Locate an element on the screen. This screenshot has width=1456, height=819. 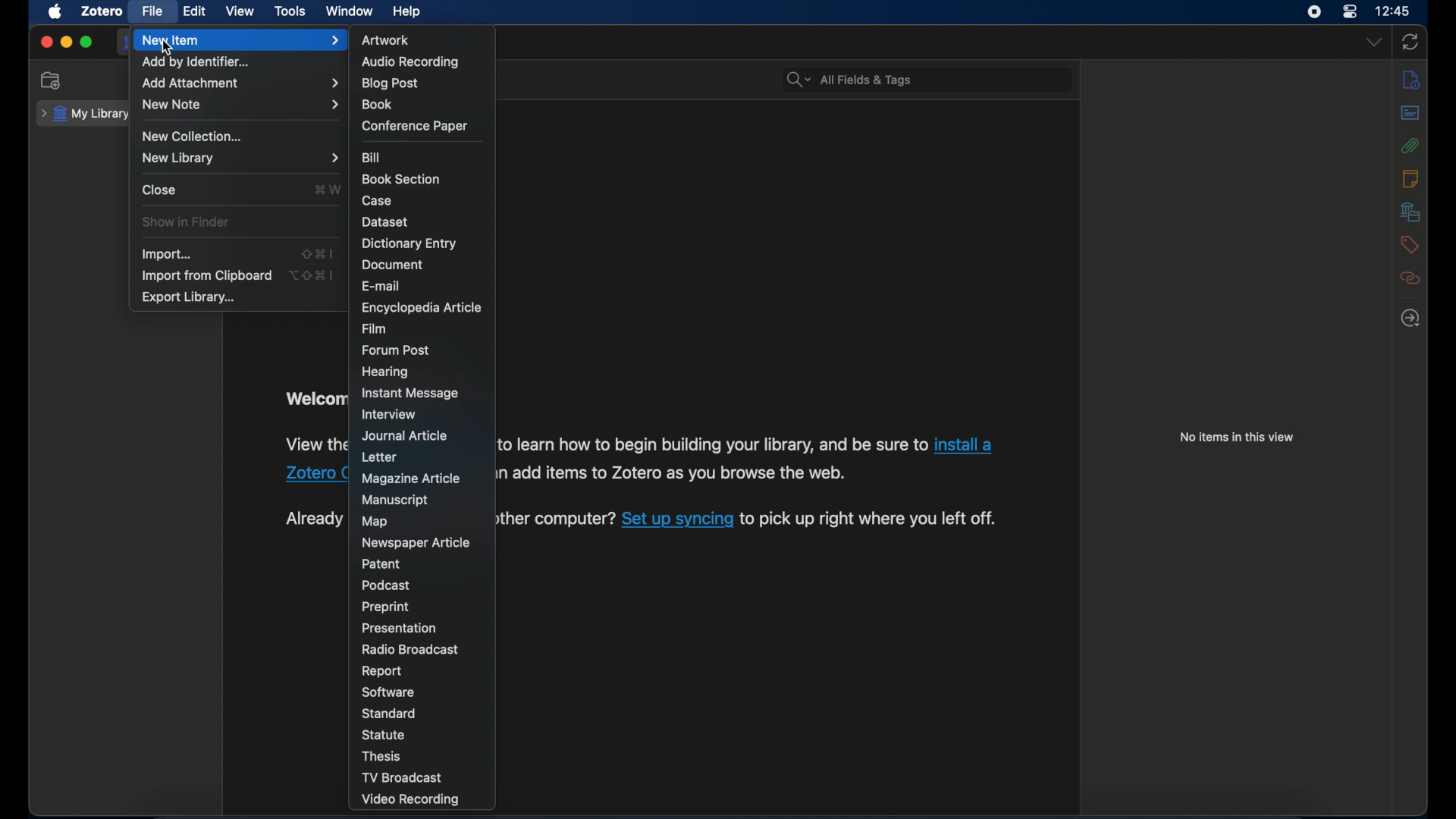
software is located at coordinates (388, 692).